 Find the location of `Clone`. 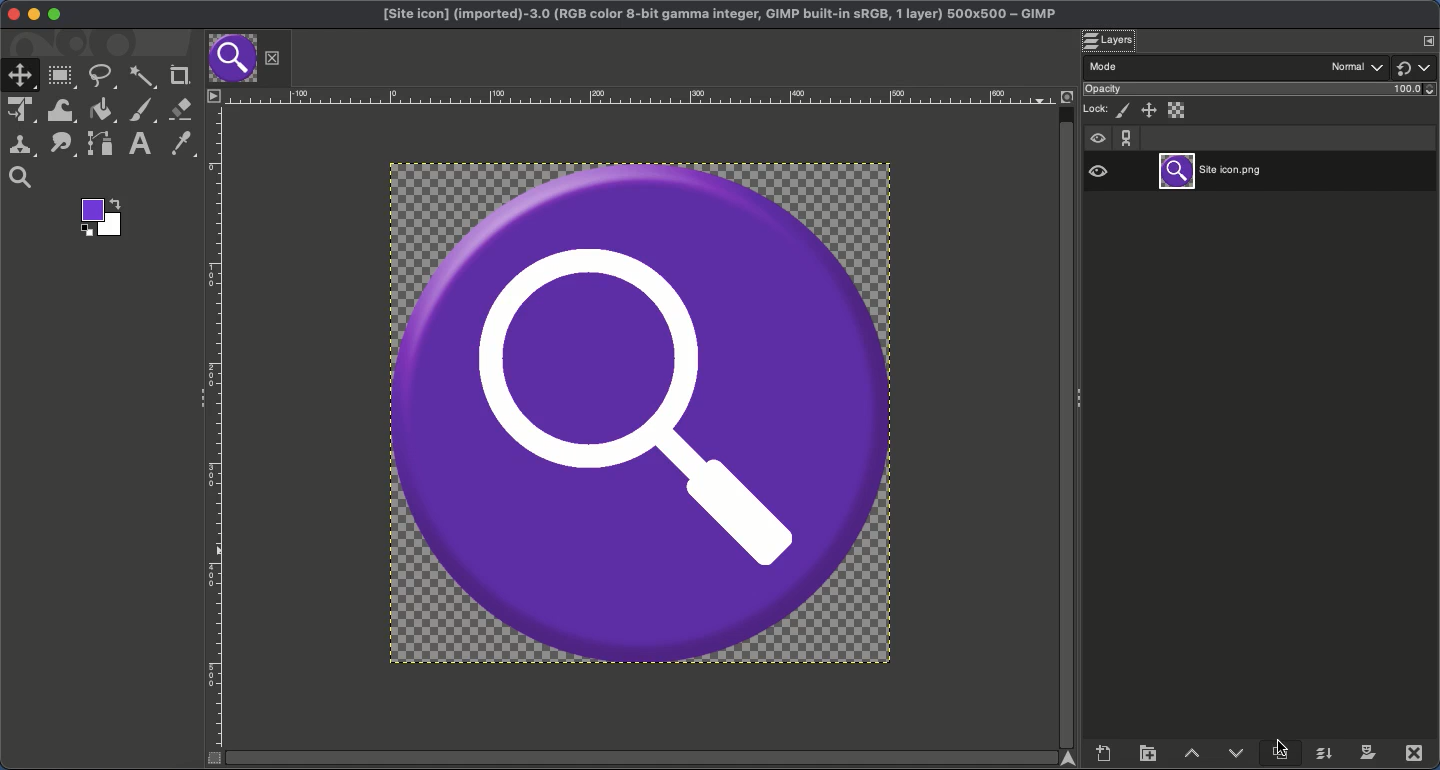

Clone is located at coordinates (19, 147).